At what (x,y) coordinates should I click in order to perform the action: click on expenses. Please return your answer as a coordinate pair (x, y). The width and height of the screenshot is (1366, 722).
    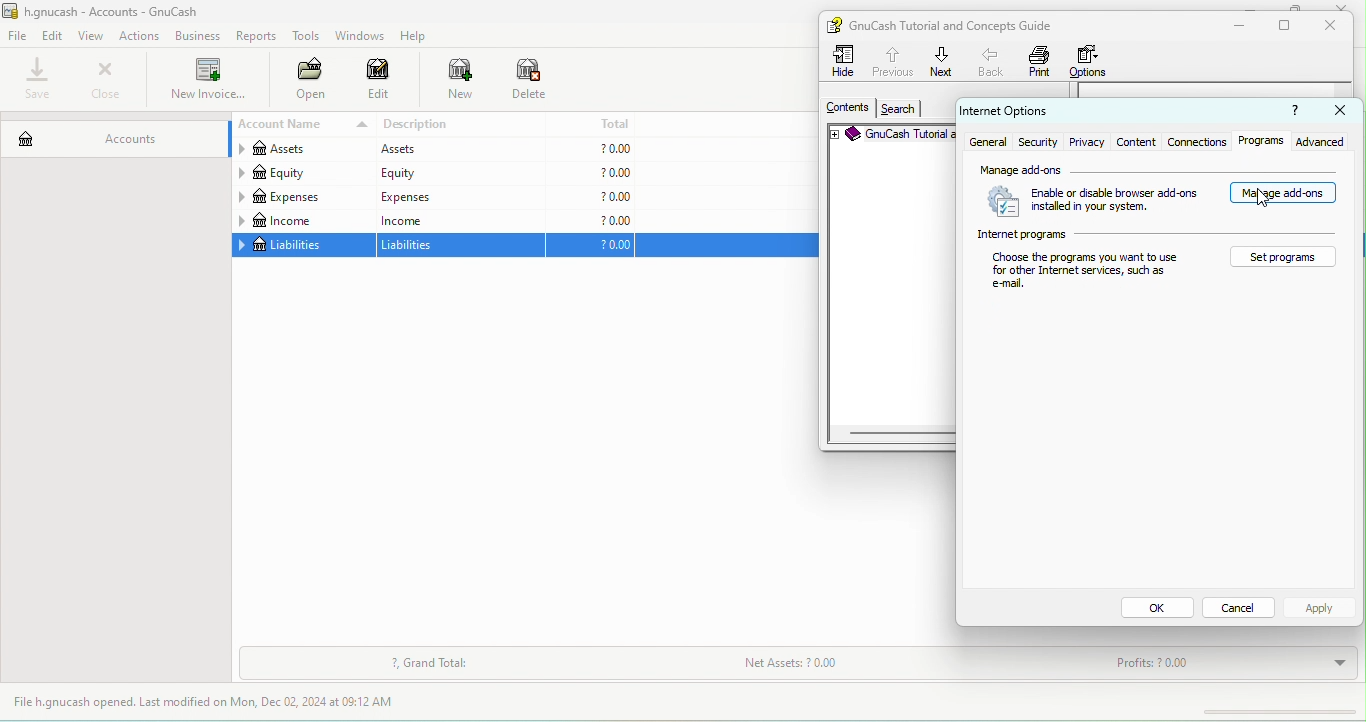
    Looking at the image, I should click on (302, 197).